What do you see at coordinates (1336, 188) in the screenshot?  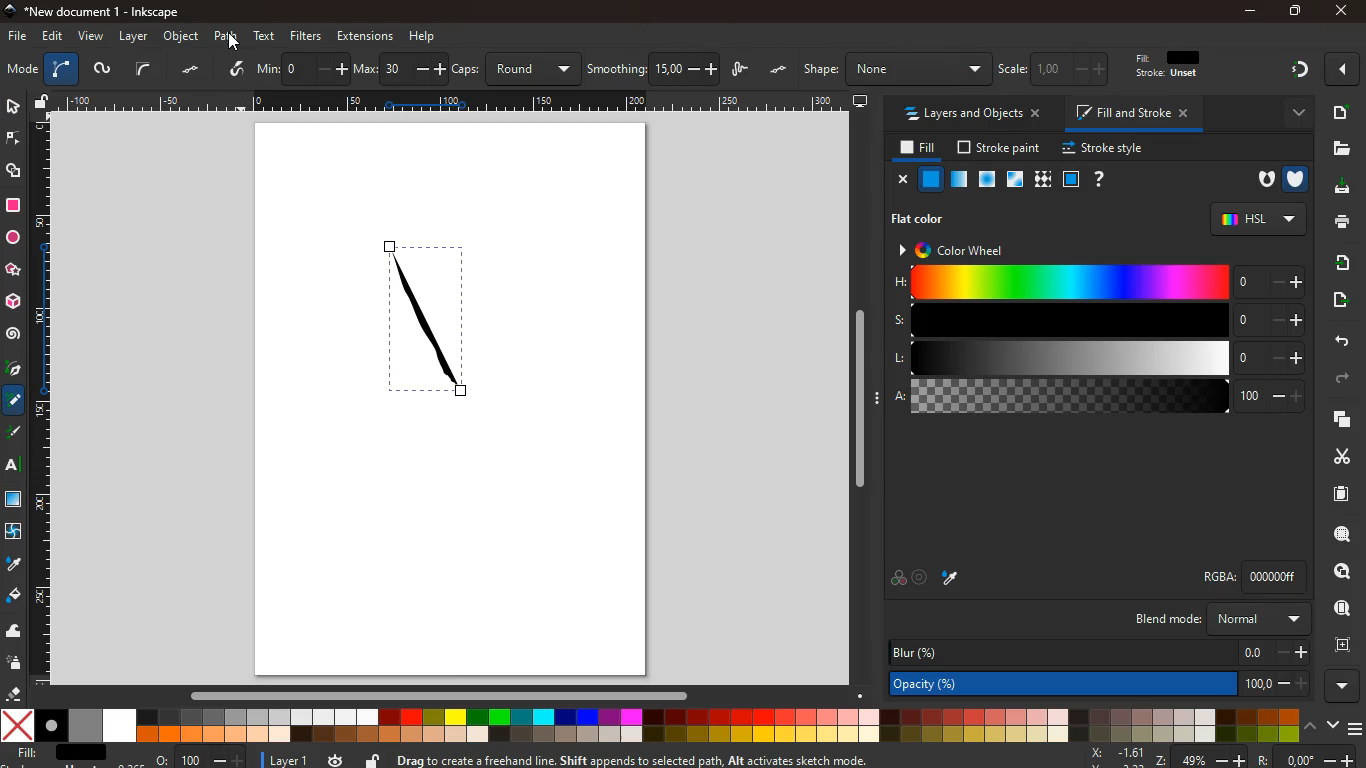 I see `download` at bounding box center [1336, 188].